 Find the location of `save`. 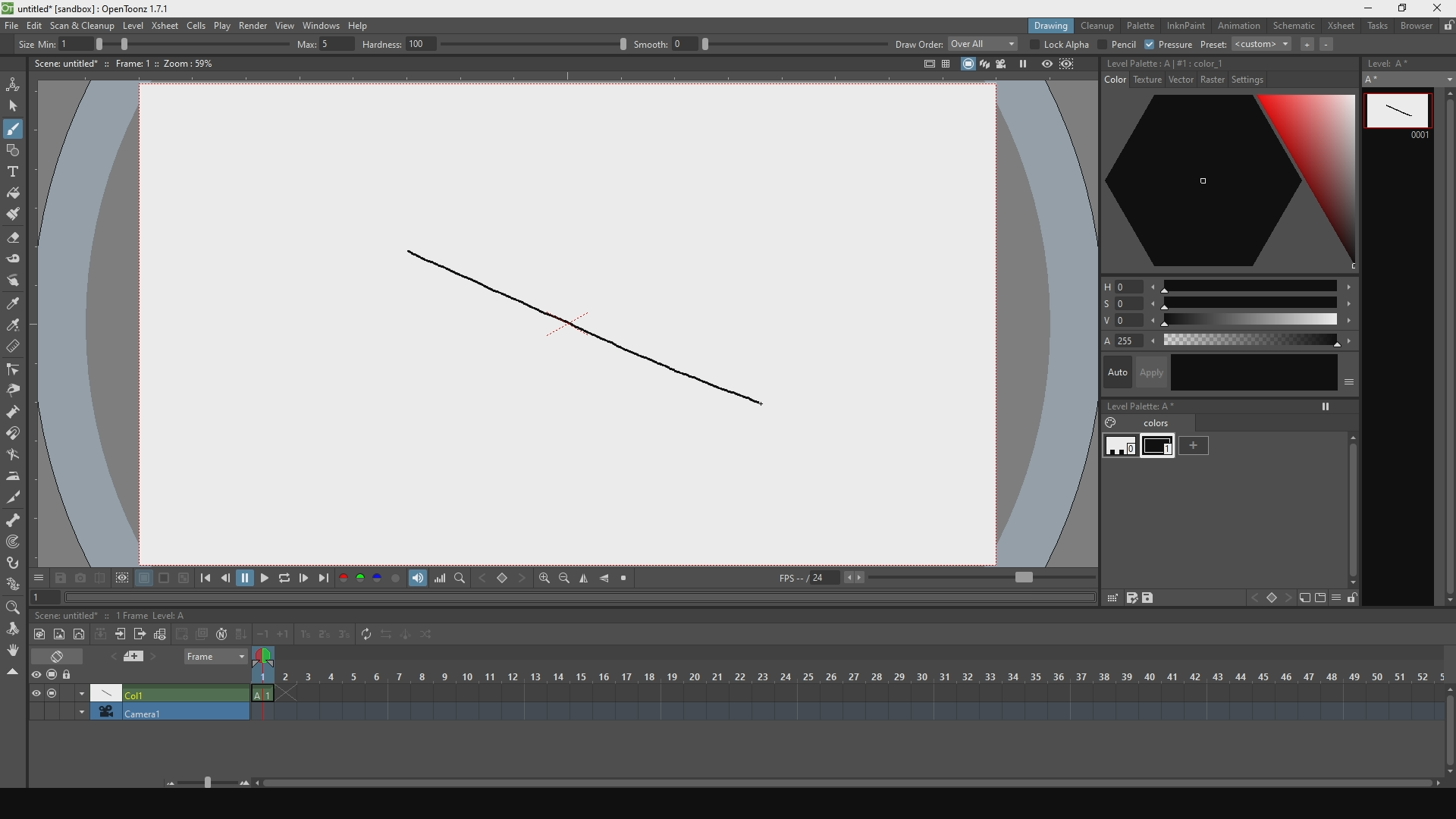

save is located at coordinates (60, 579).